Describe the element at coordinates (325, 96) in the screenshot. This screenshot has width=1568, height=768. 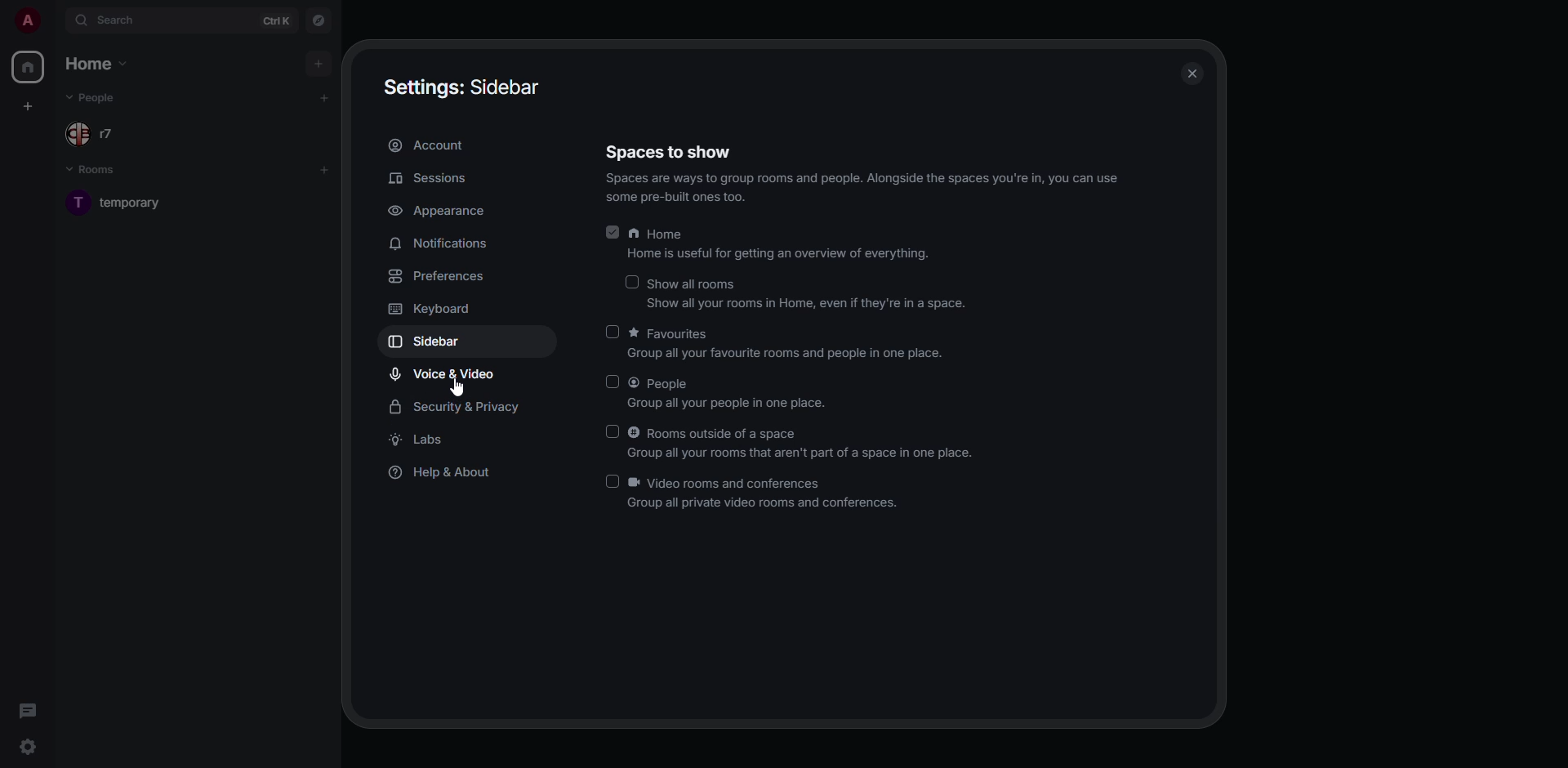
I see `add` at that location.